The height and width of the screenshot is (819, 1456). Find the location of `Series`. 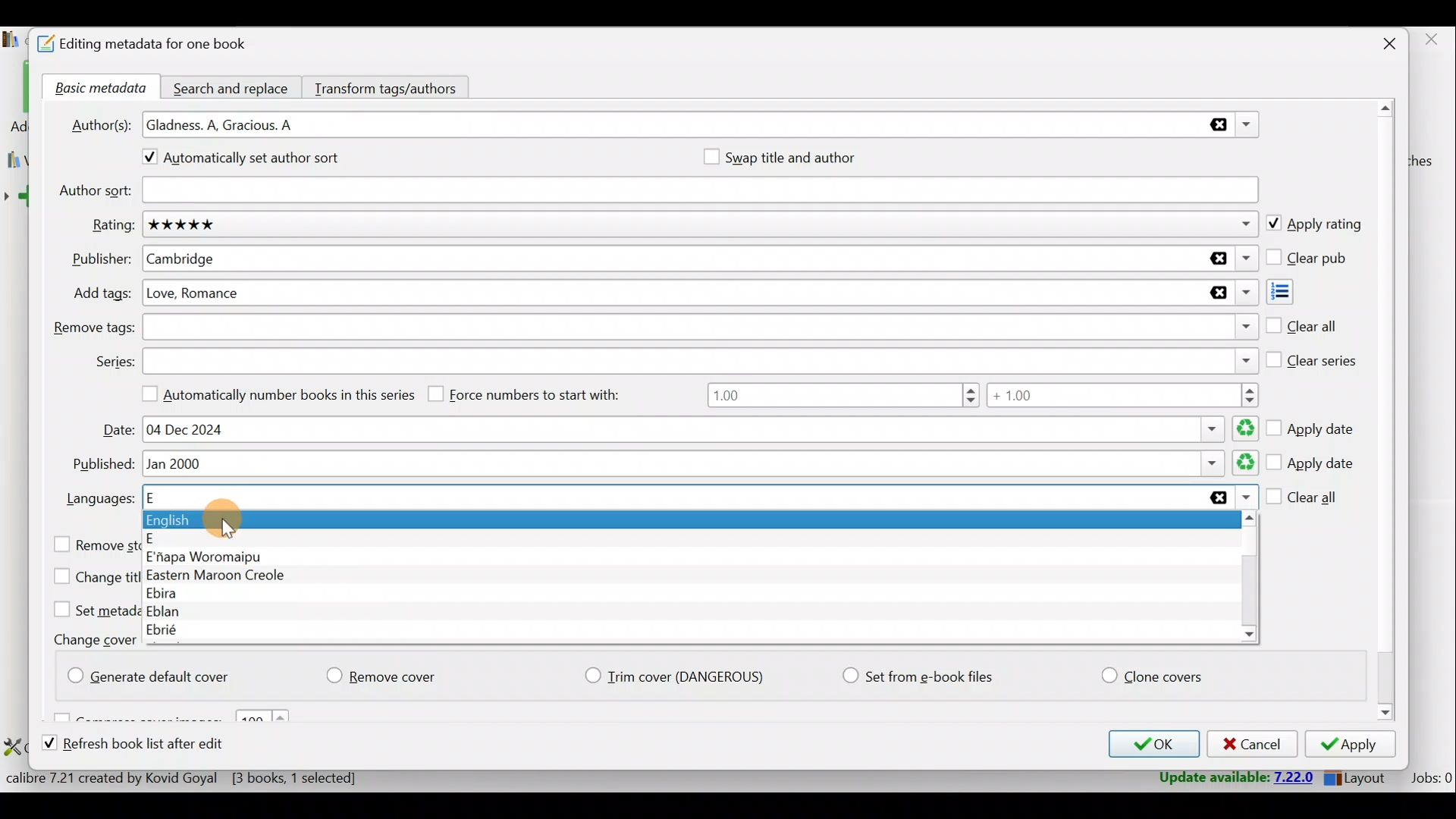

Series is located at coordinates (701, 359).